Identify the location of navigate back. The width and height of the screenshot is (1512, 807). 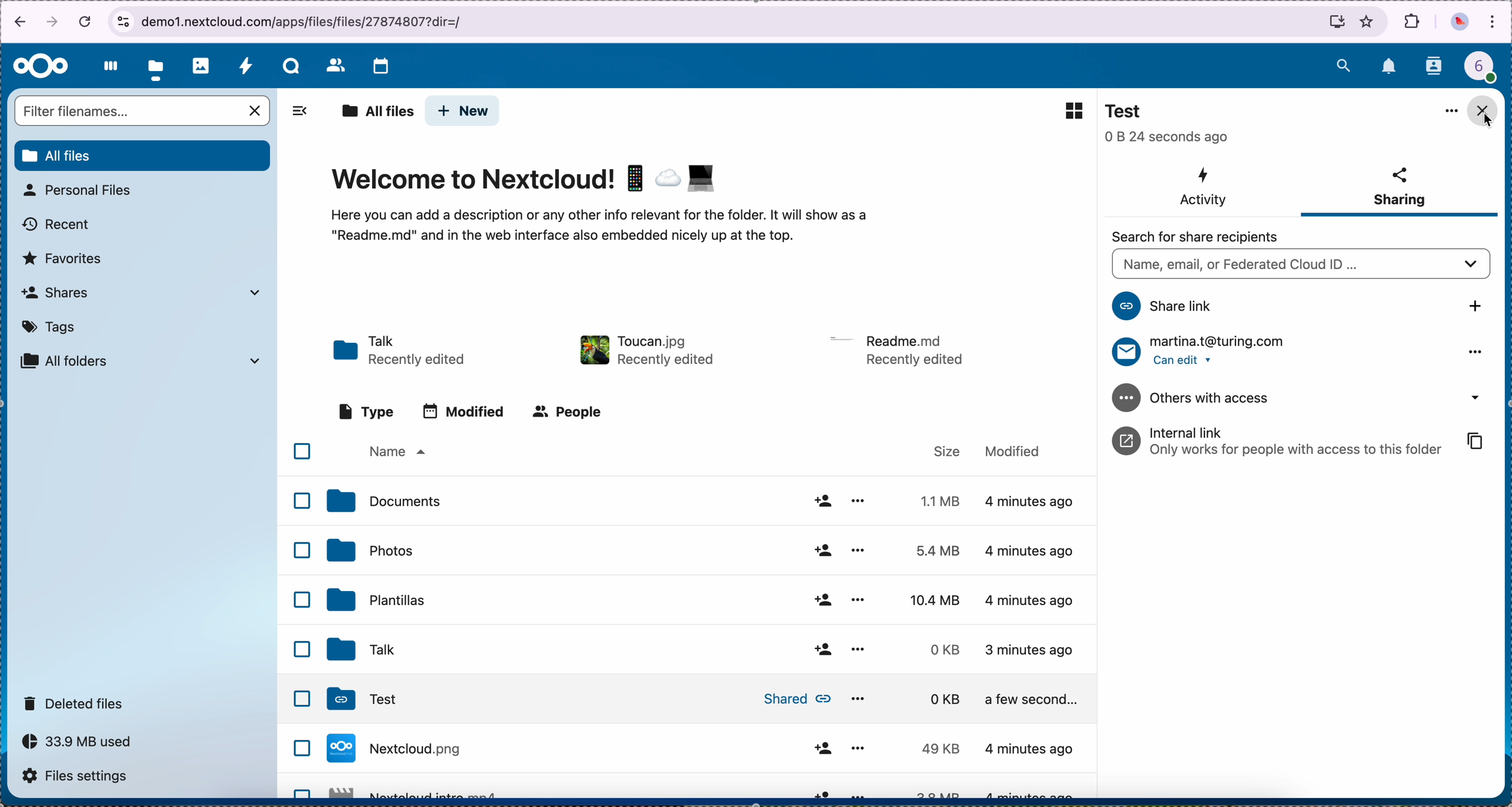
(16, 24).